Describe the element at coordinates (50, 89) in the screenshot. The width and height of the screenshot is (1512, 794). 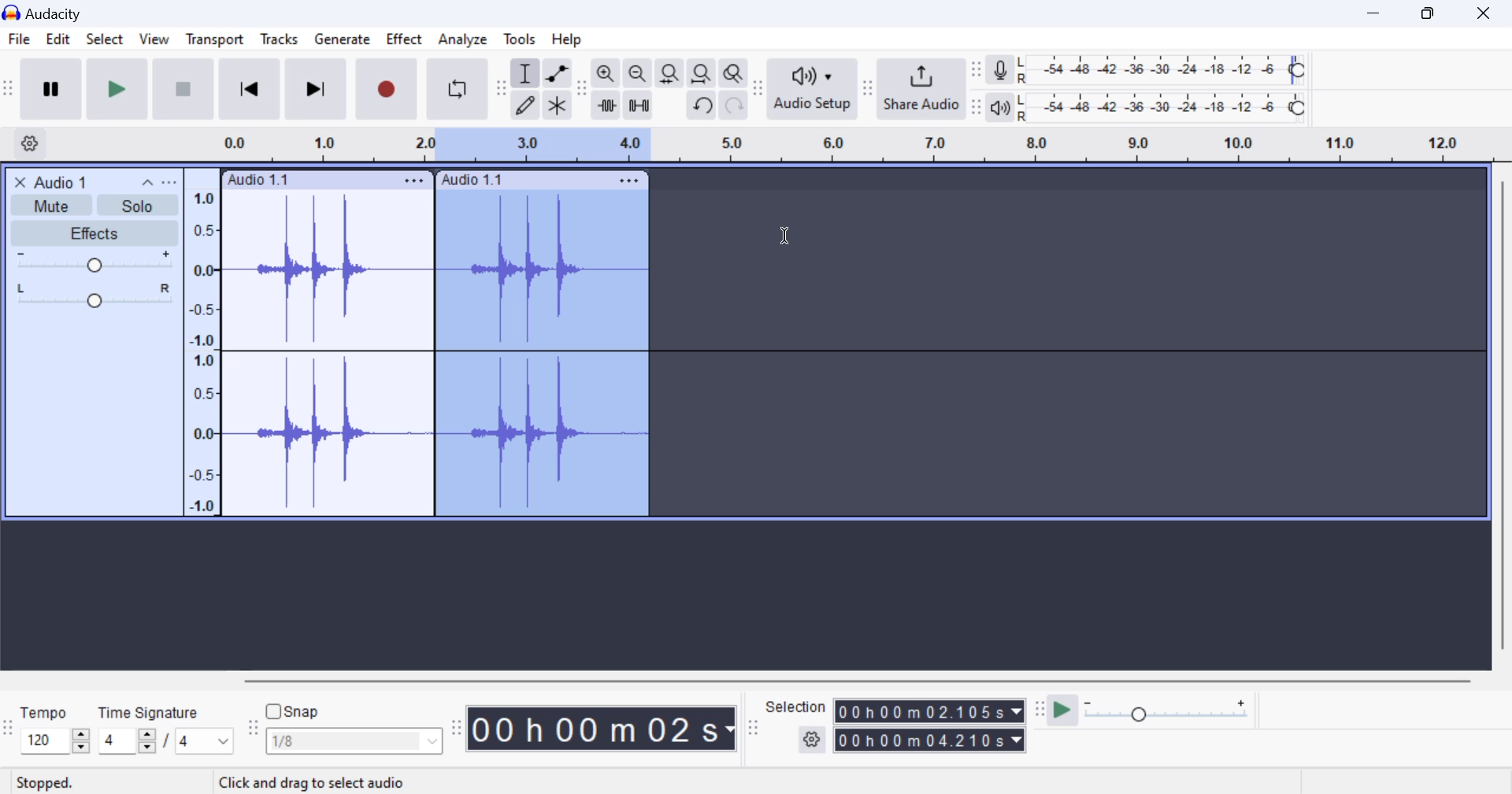
I see `Pause` at that location.